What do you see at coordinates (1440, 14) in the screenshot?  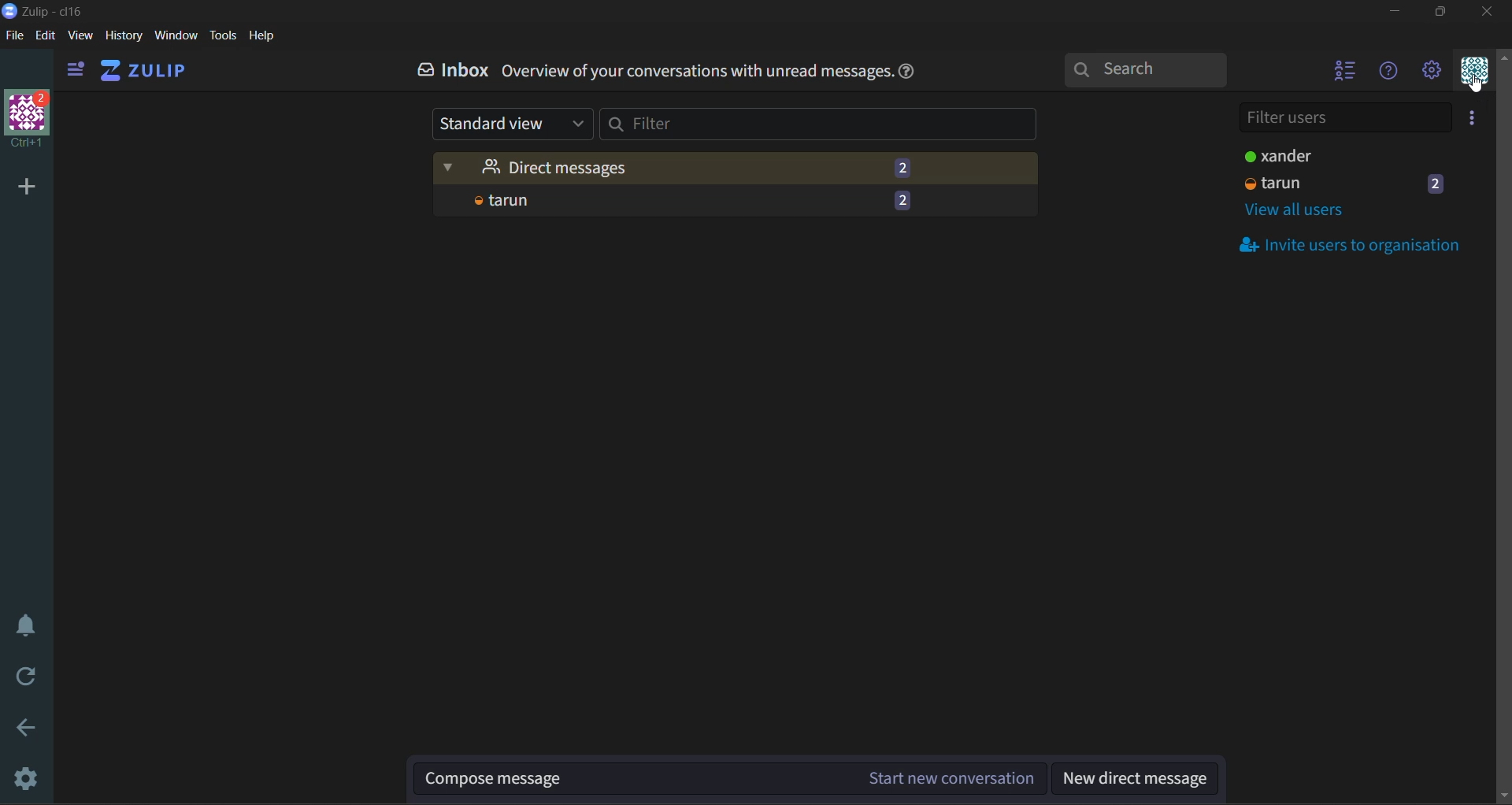 I see `maximize` at bounding box center [1440, 14].